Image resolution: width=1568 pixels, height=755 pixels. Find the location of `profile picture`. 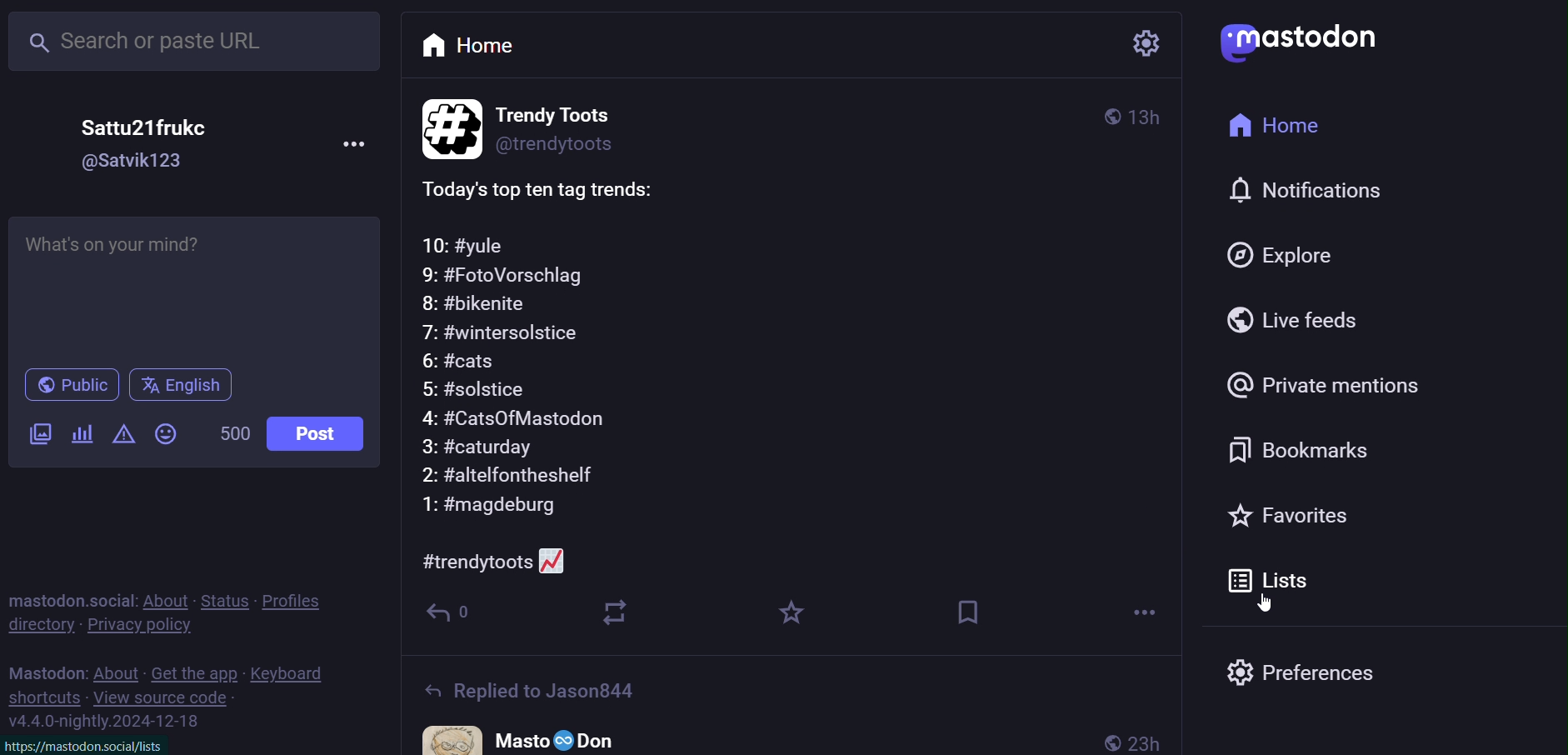

profile picture is located at coordinates (452, 127).